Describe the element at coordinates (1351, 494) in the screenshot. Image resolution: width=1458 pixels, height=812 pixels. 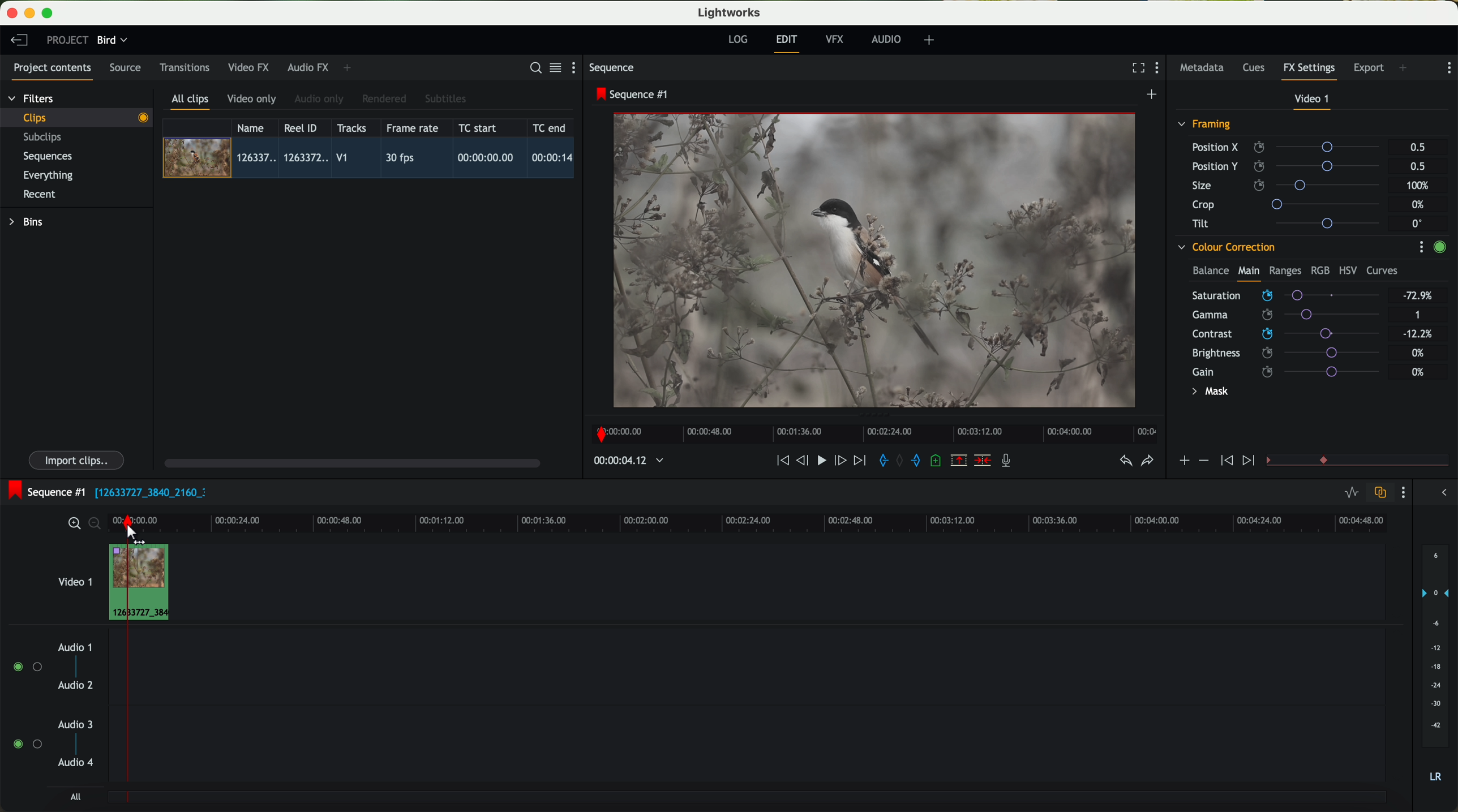
I see `toggle audio levels editing` at that location.